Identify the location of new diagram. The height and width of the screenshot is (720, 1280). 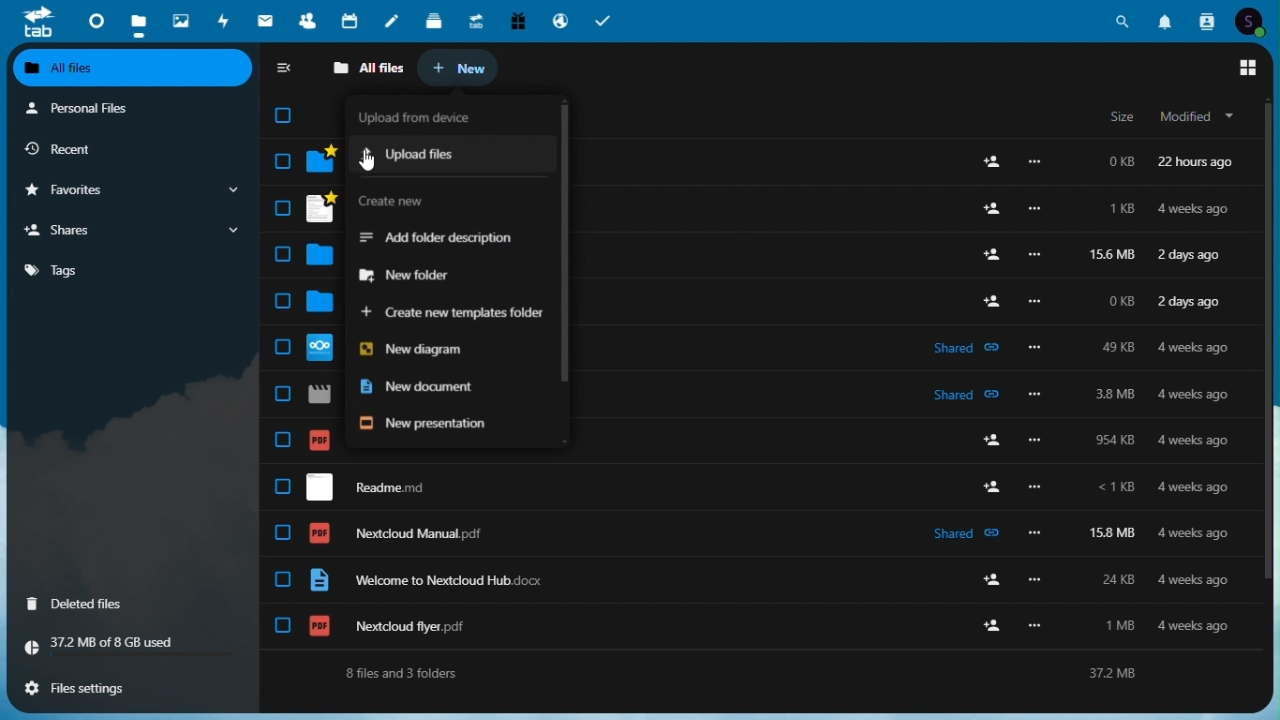
(446, 350).